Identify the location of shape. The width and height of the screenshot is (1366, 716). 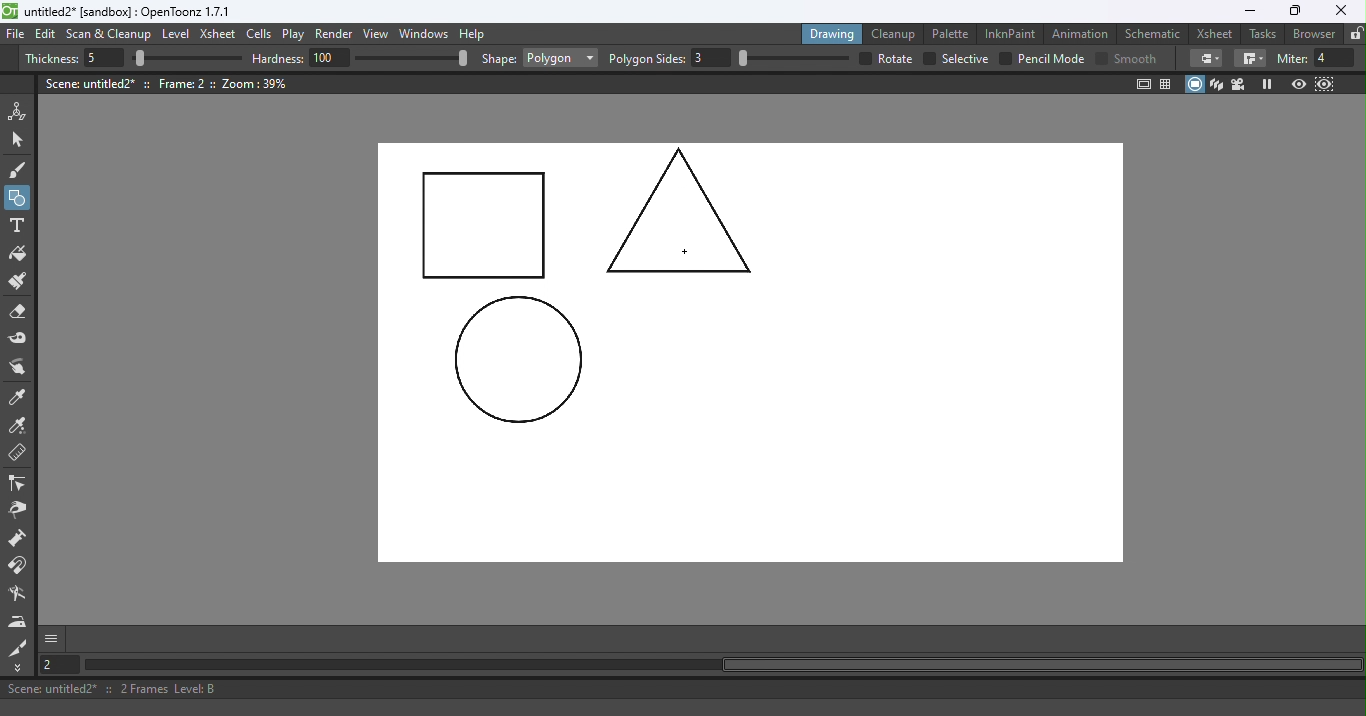
(499, 60).